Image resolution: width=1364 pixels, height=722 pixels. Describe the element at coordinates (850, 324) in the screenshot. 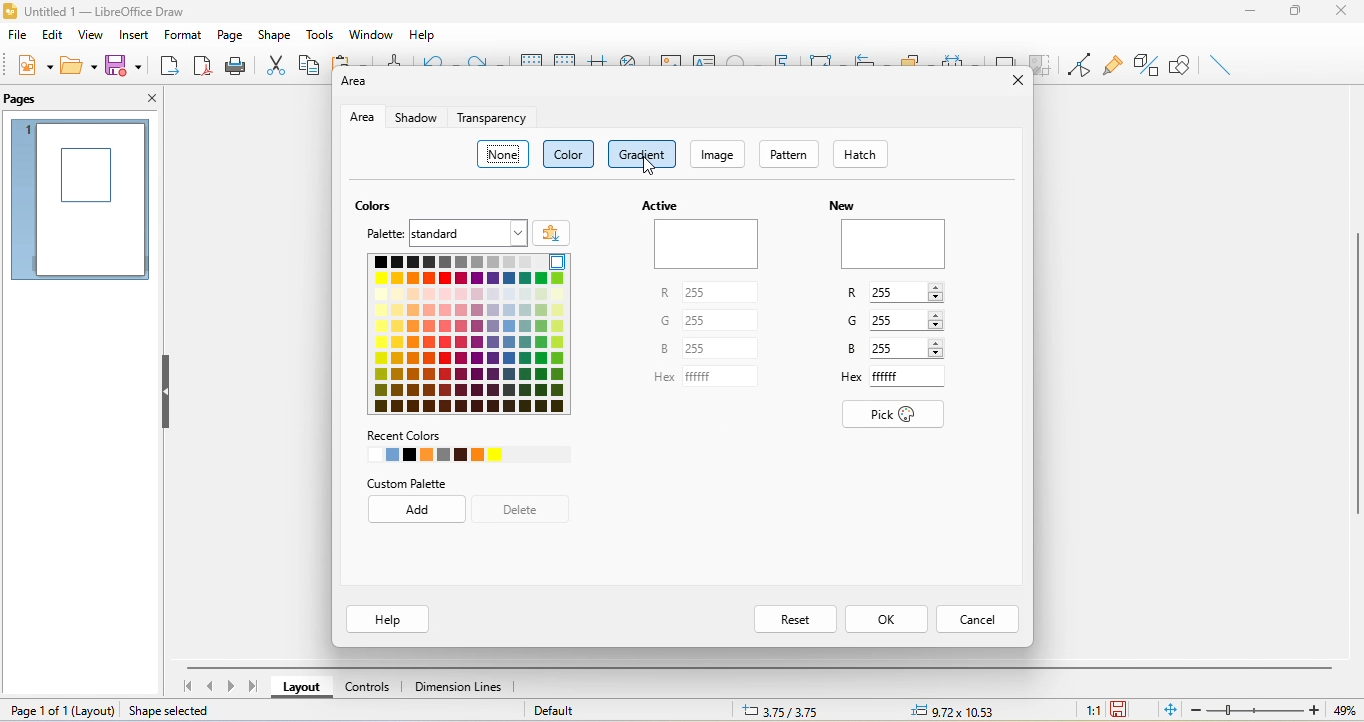

I see `g` at that location.